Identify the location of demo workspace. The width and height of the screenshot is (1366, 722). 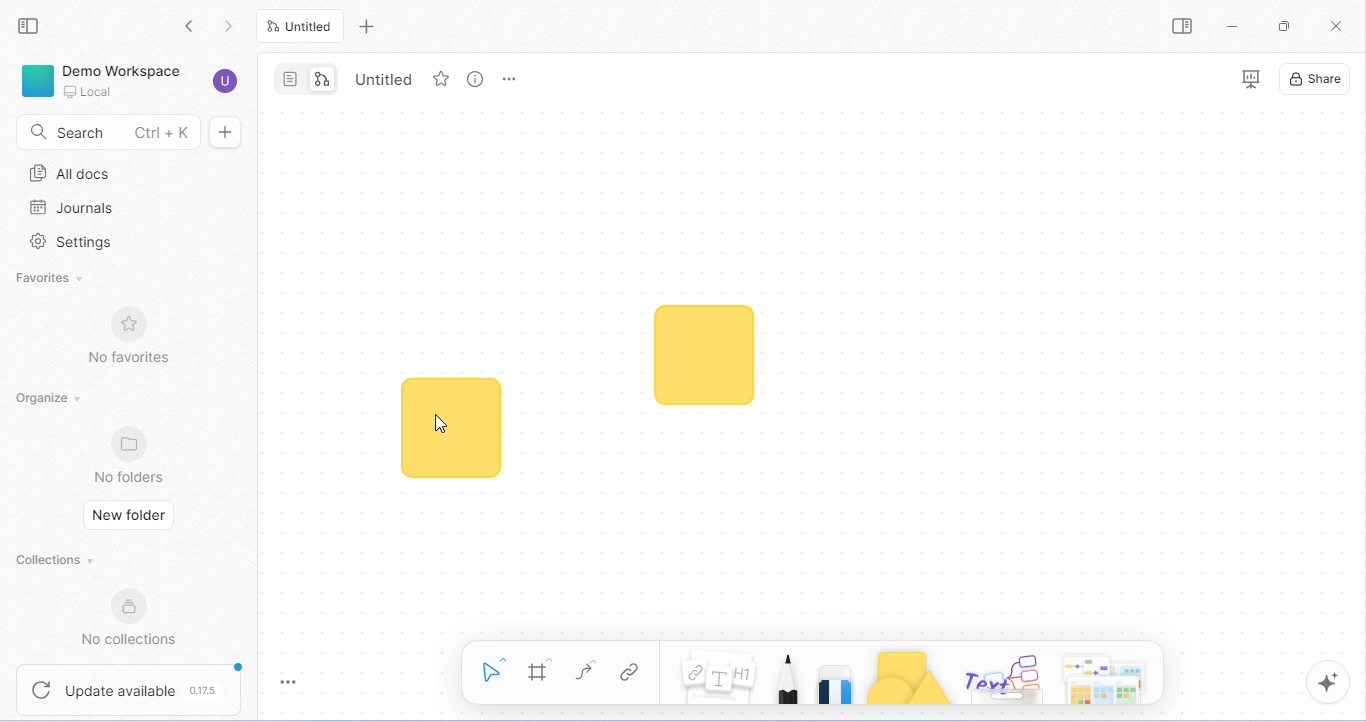
(101, 79).